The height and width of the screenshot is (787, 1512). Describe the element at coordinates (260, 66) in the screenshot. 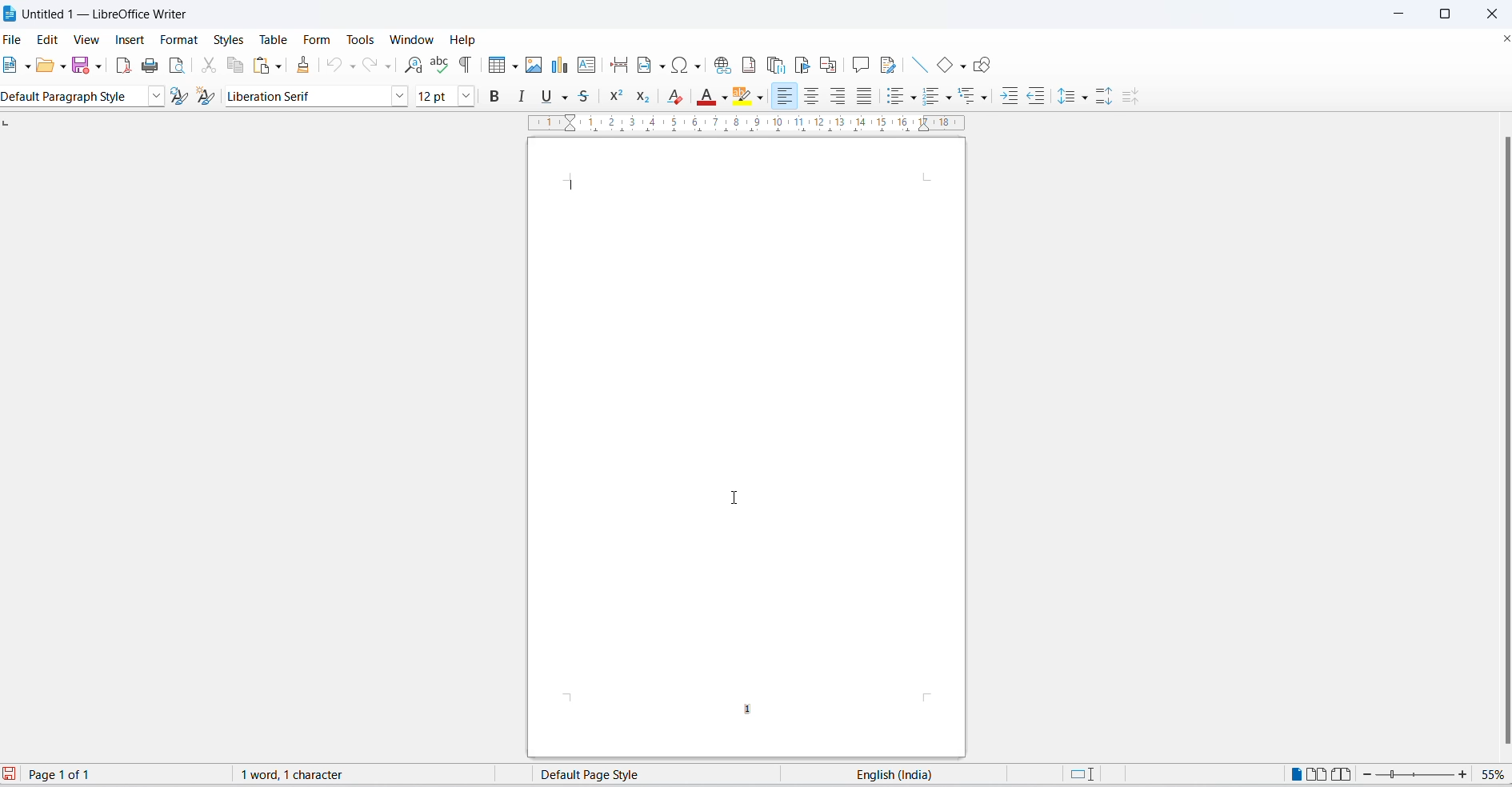

I see `paste options` at that location.